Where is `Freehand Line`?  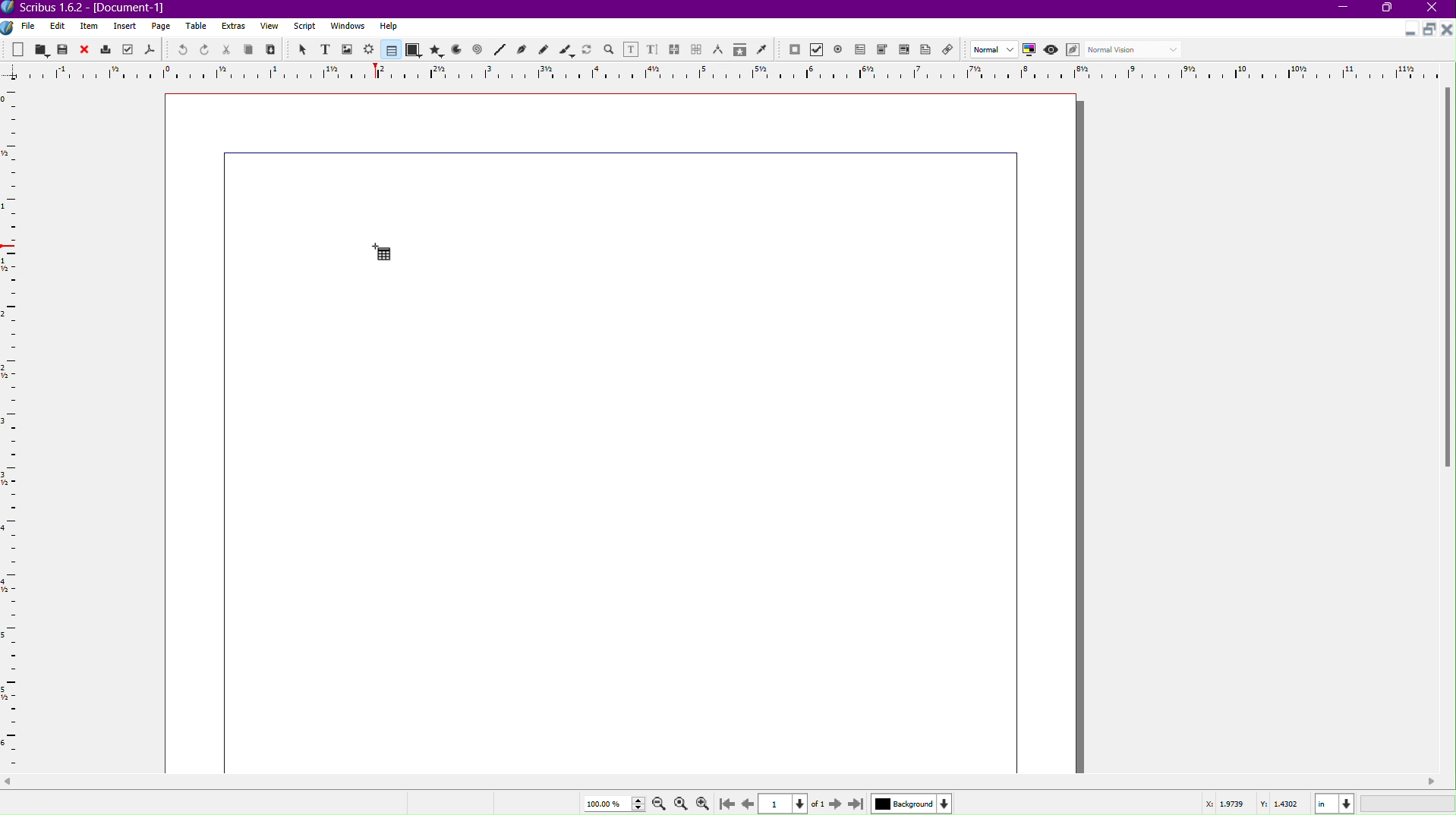 Freehand Line is located at coordinates (544, 49).